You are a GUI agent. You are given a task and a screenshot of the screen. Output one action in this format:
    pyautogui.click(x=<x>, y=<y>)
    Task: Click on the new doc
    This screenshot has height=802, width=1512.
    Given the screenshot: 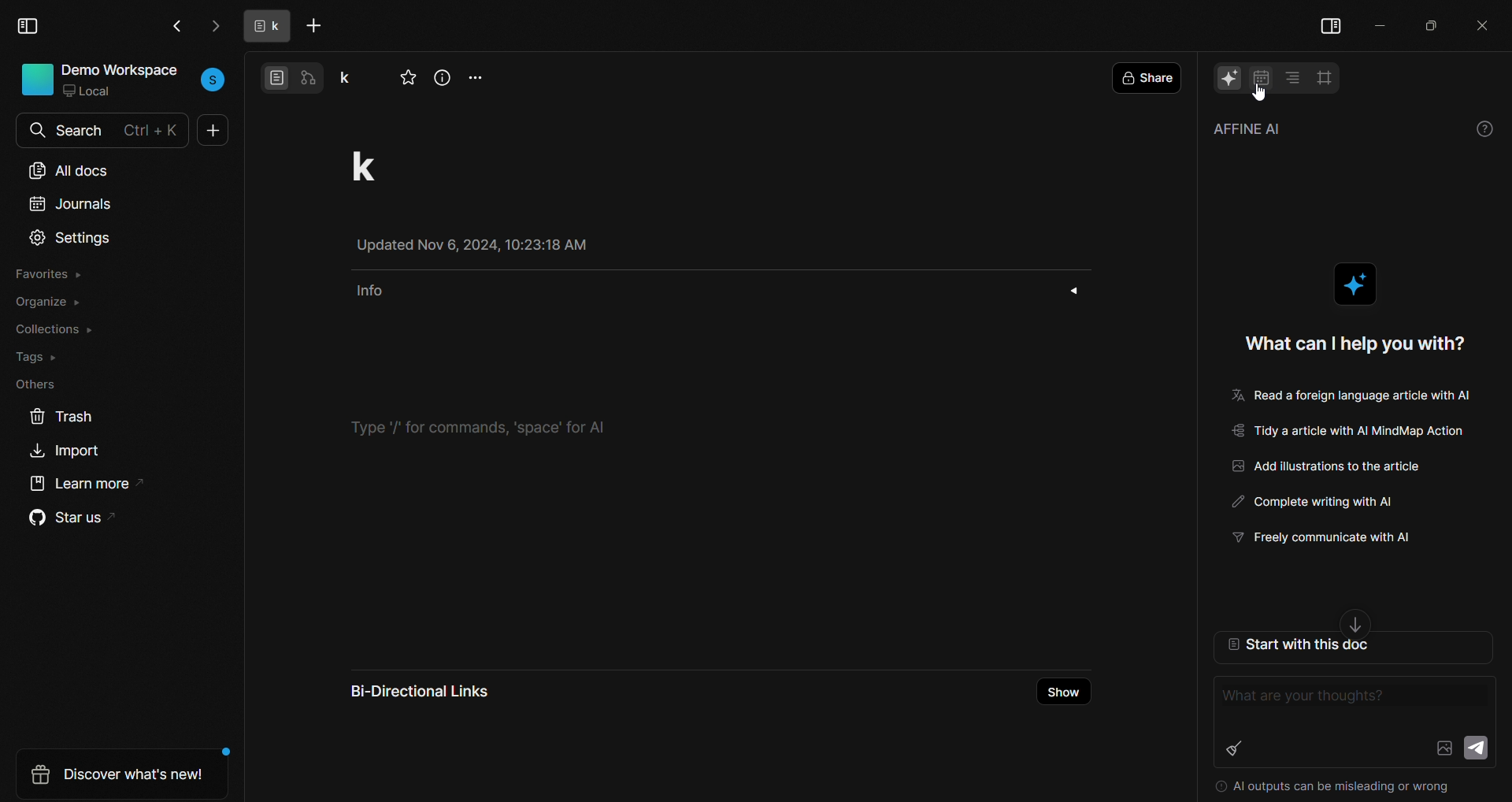 What is the action you would take?
    pyautogui.click(x=214, y=133)
    